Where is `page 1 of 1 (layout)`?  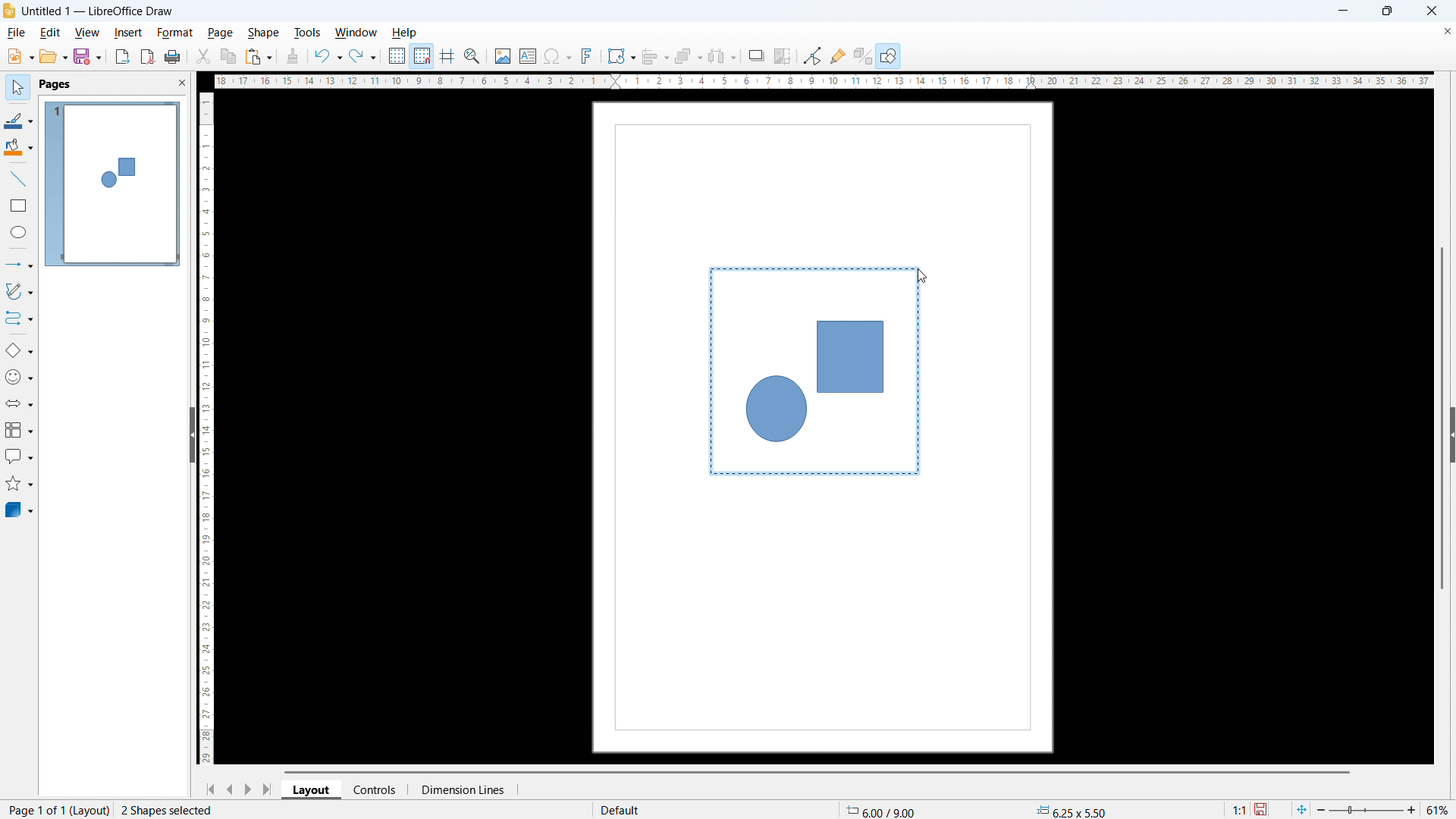
page 1 of 1 (layout) is located at coordinates (56, 809).